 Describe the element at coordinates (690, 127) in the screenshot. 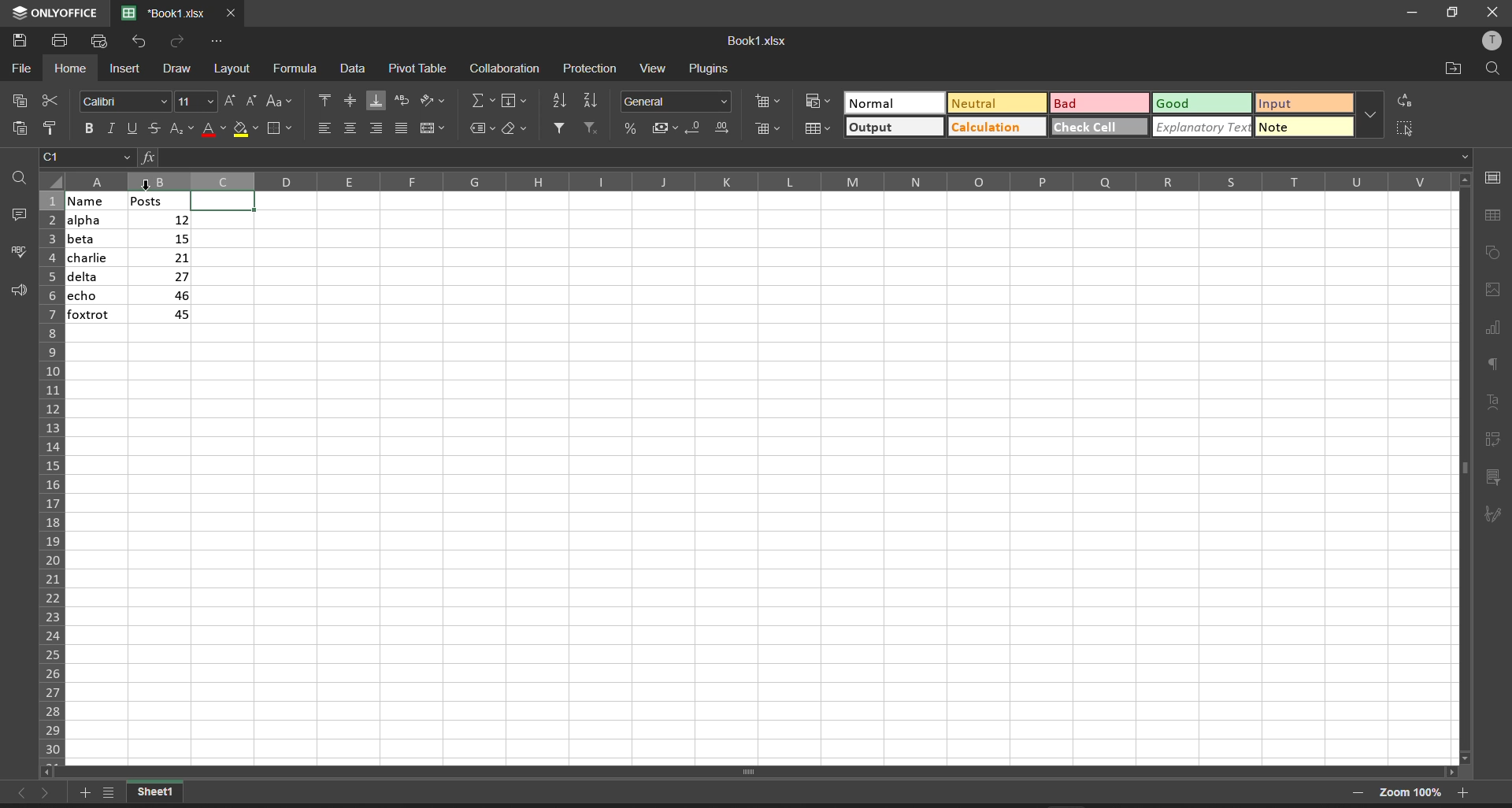

I see `decrease decimal` at that location.